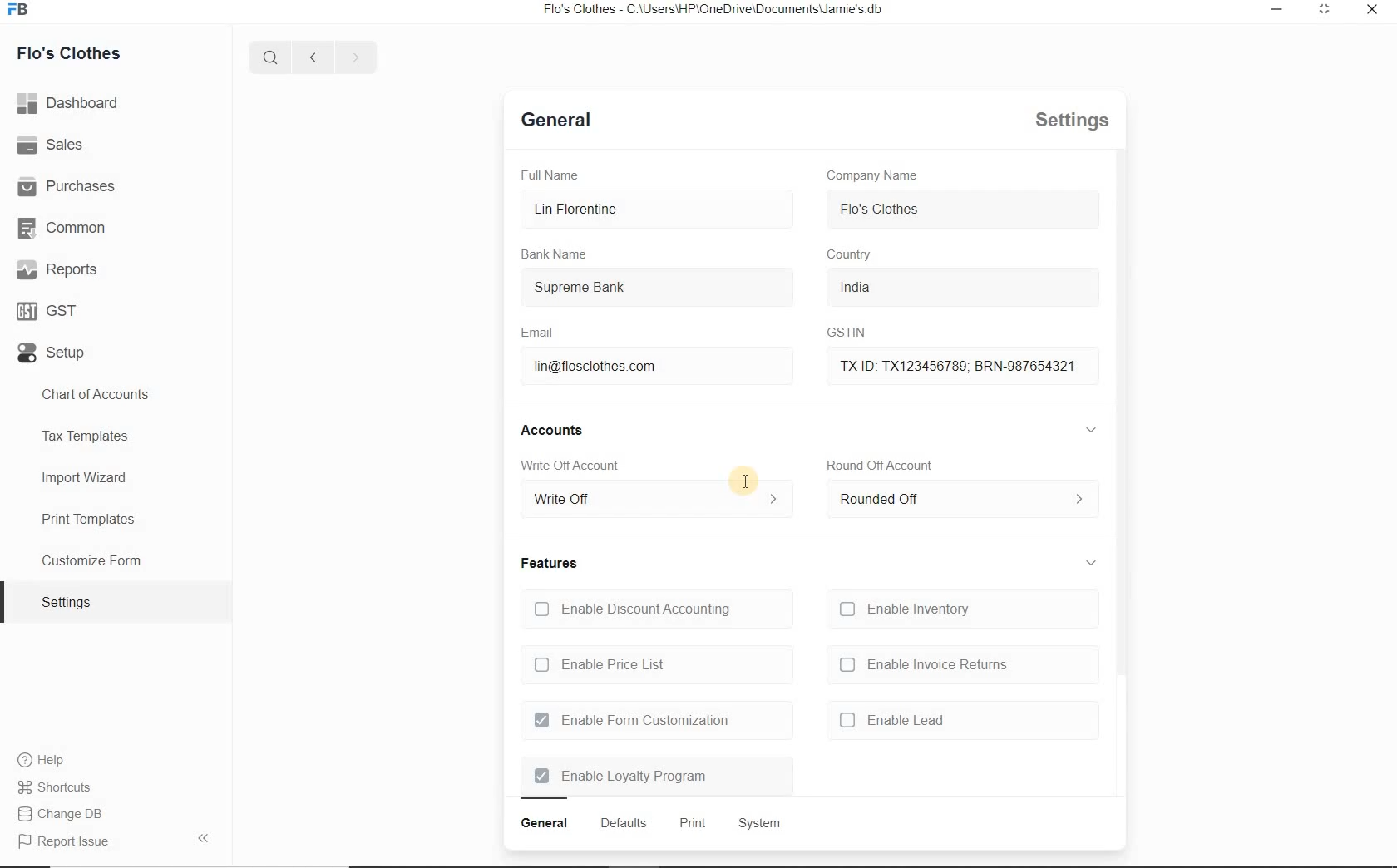 The height and width of the screenshot is (868, 1397). I want to click on Dashboard, so click(72, 105).